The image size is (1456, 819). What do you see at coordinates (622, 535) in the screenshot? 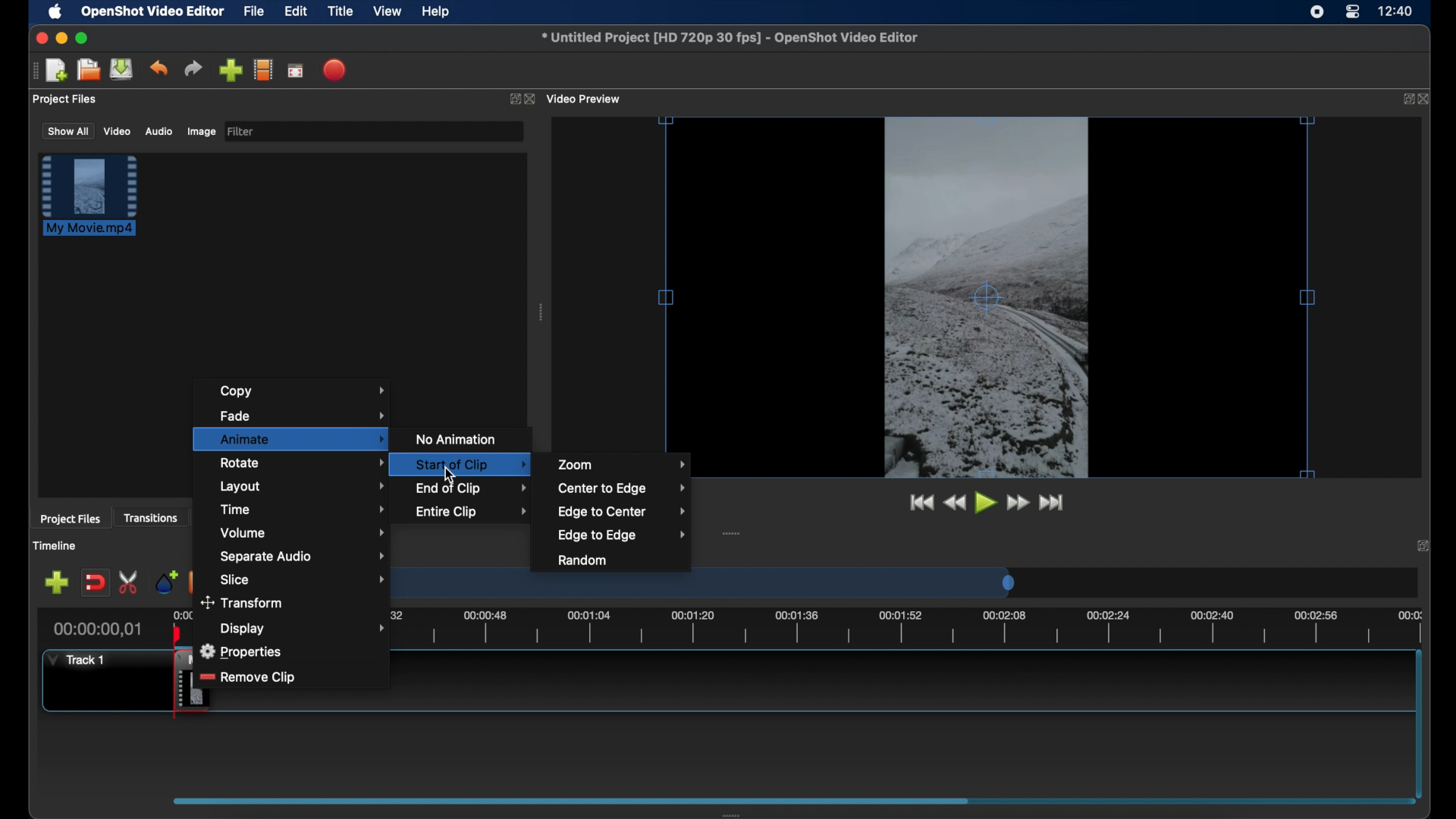
I see `edge to edge` at bounding box center [622, 535].